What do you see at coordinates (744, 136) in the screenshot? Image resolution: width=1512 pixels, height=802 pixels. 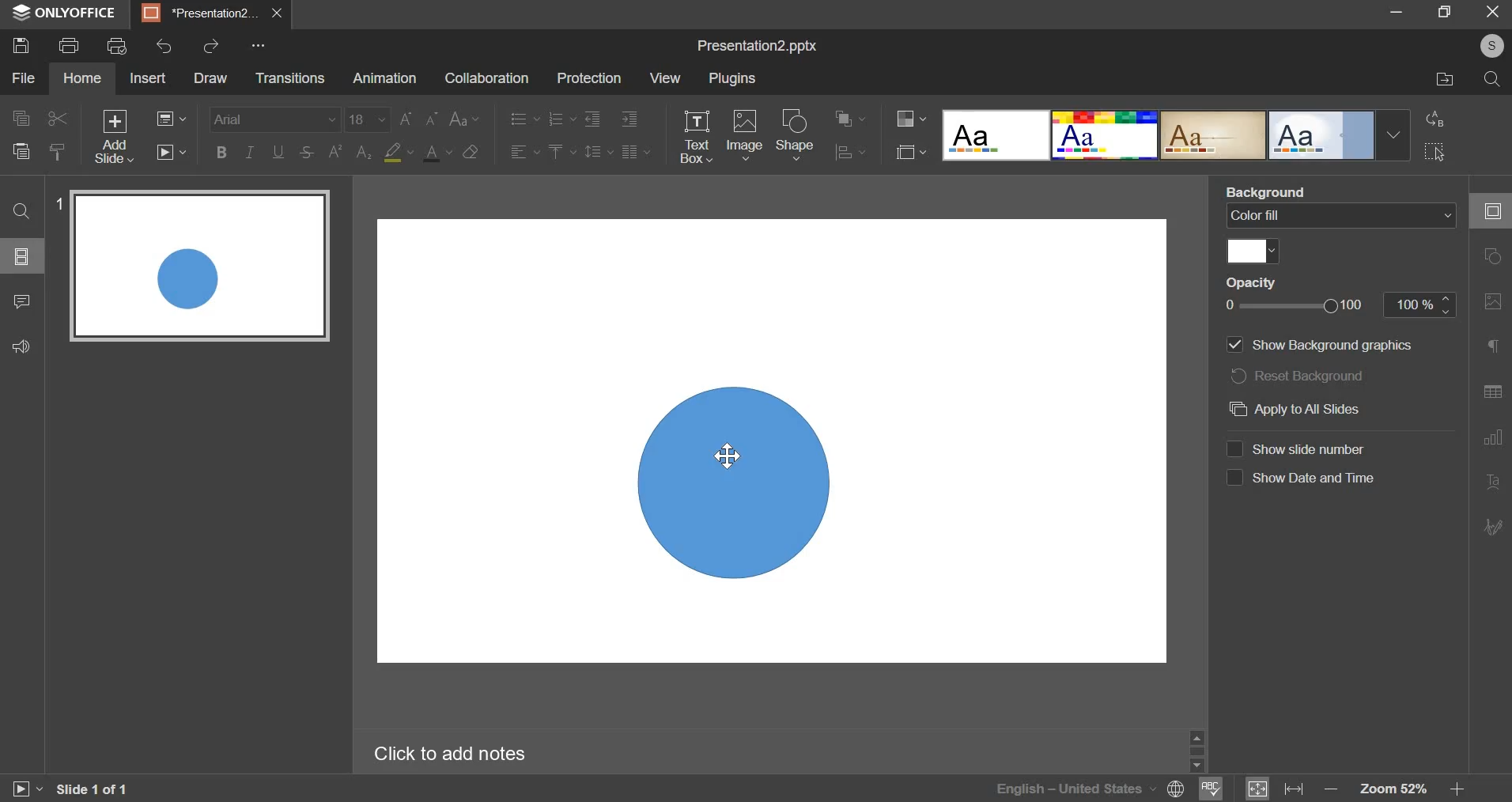 I see `image` at bounding box center [744, 136].